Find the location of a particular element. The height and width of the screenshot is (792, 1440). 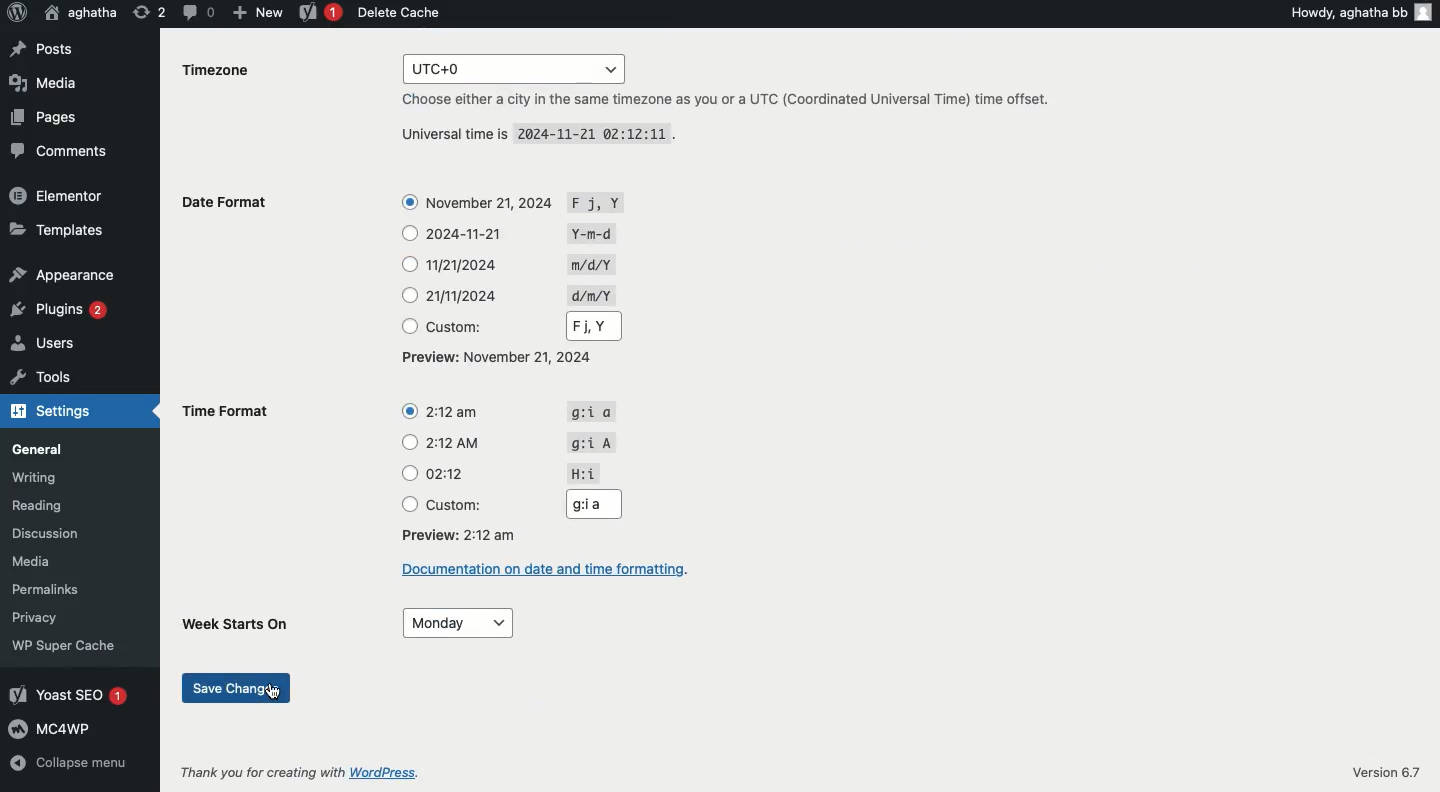

Preview: November 21, 2024 is located at coordinates (497, 357).